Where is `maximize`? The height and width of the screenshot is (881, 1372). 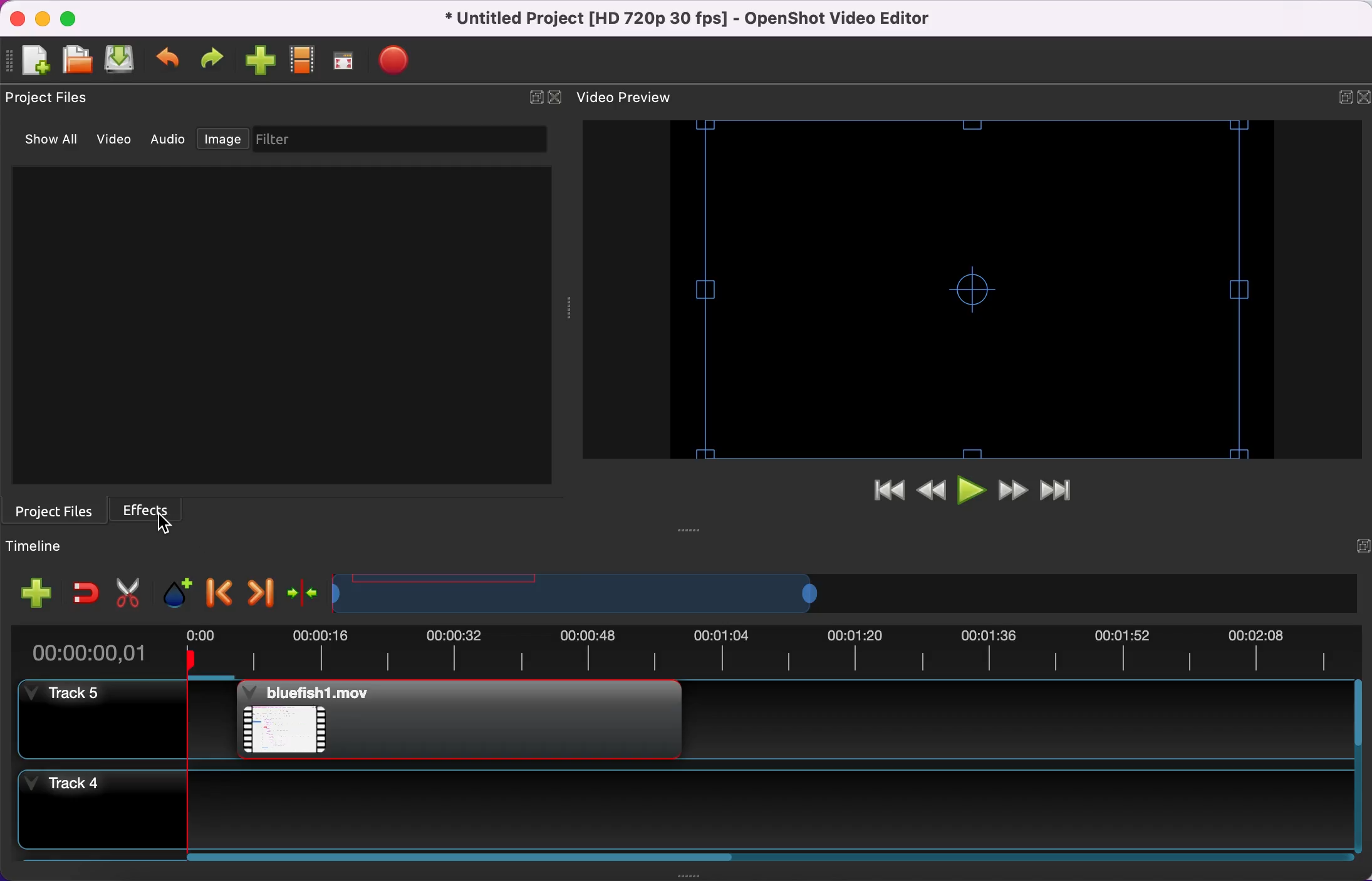
maximize is located at coordinates (71, 18).